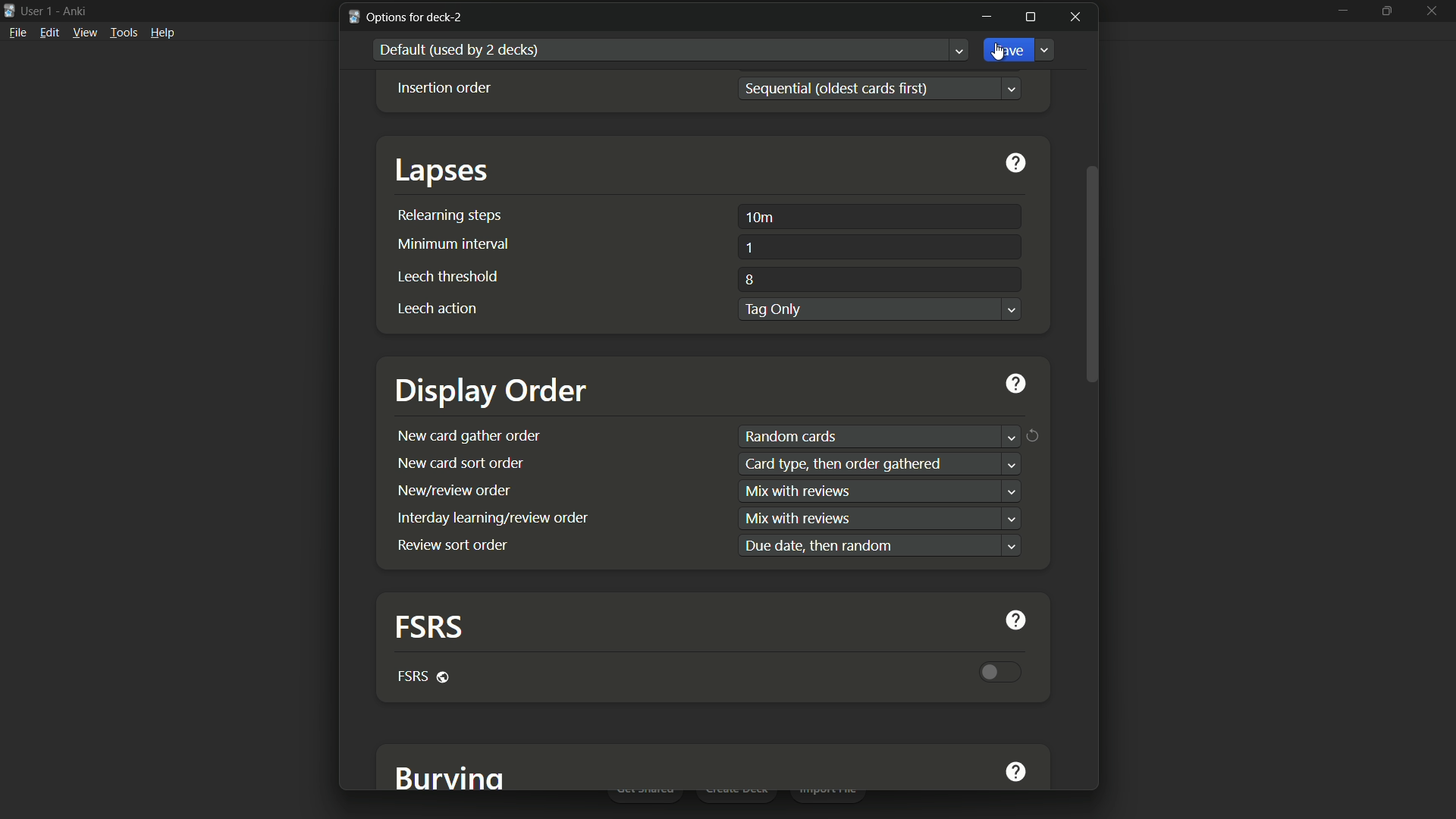 The width and height of the screenshot is (1456, 819). I want to click on Insertion order, so click(444, 88).